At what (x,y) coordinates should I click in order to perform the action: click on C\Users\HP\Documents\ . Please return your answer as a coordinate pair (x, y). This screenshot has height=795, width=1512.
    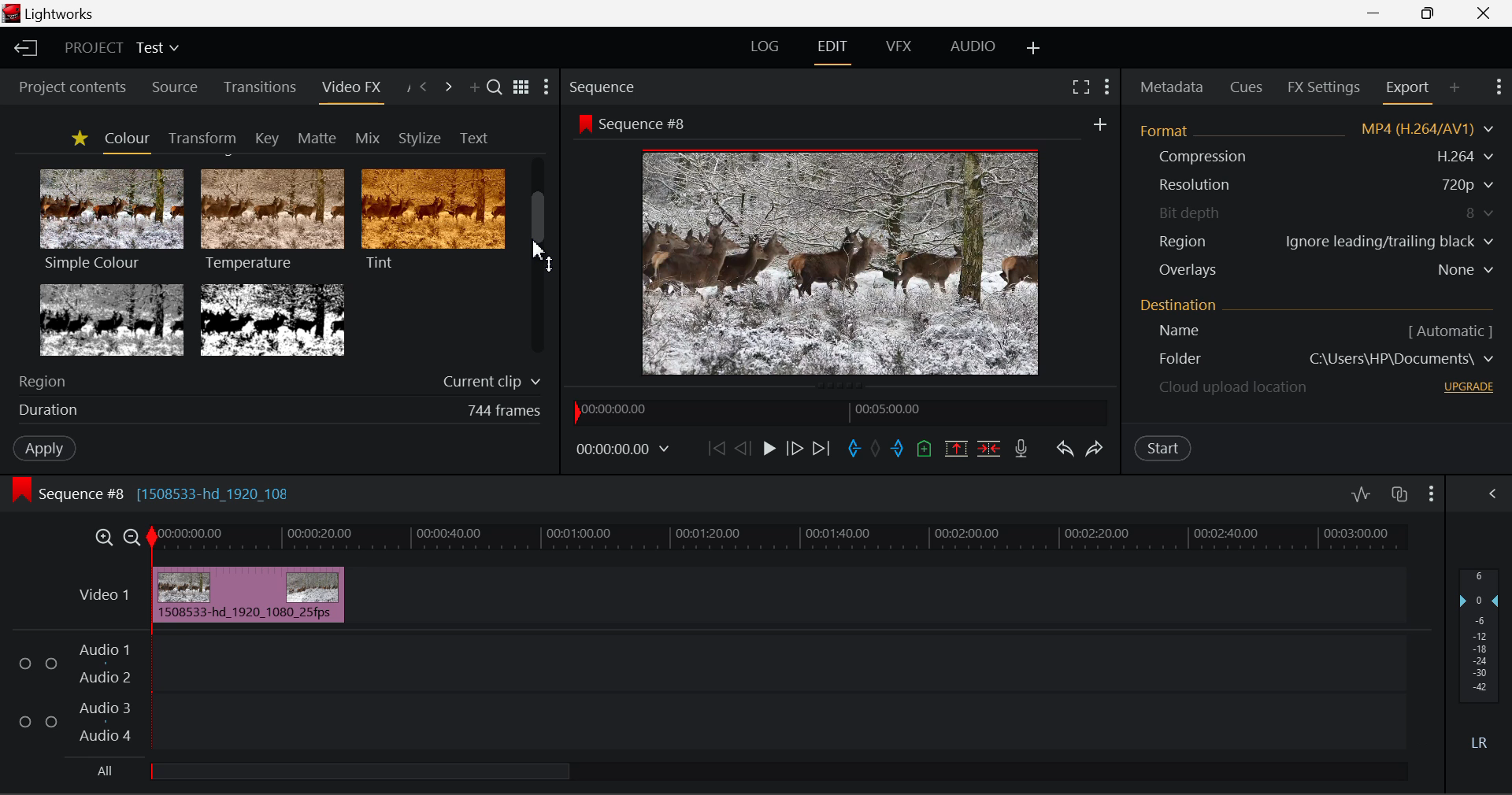
    Looking at the image, I should click on (1402, 358).